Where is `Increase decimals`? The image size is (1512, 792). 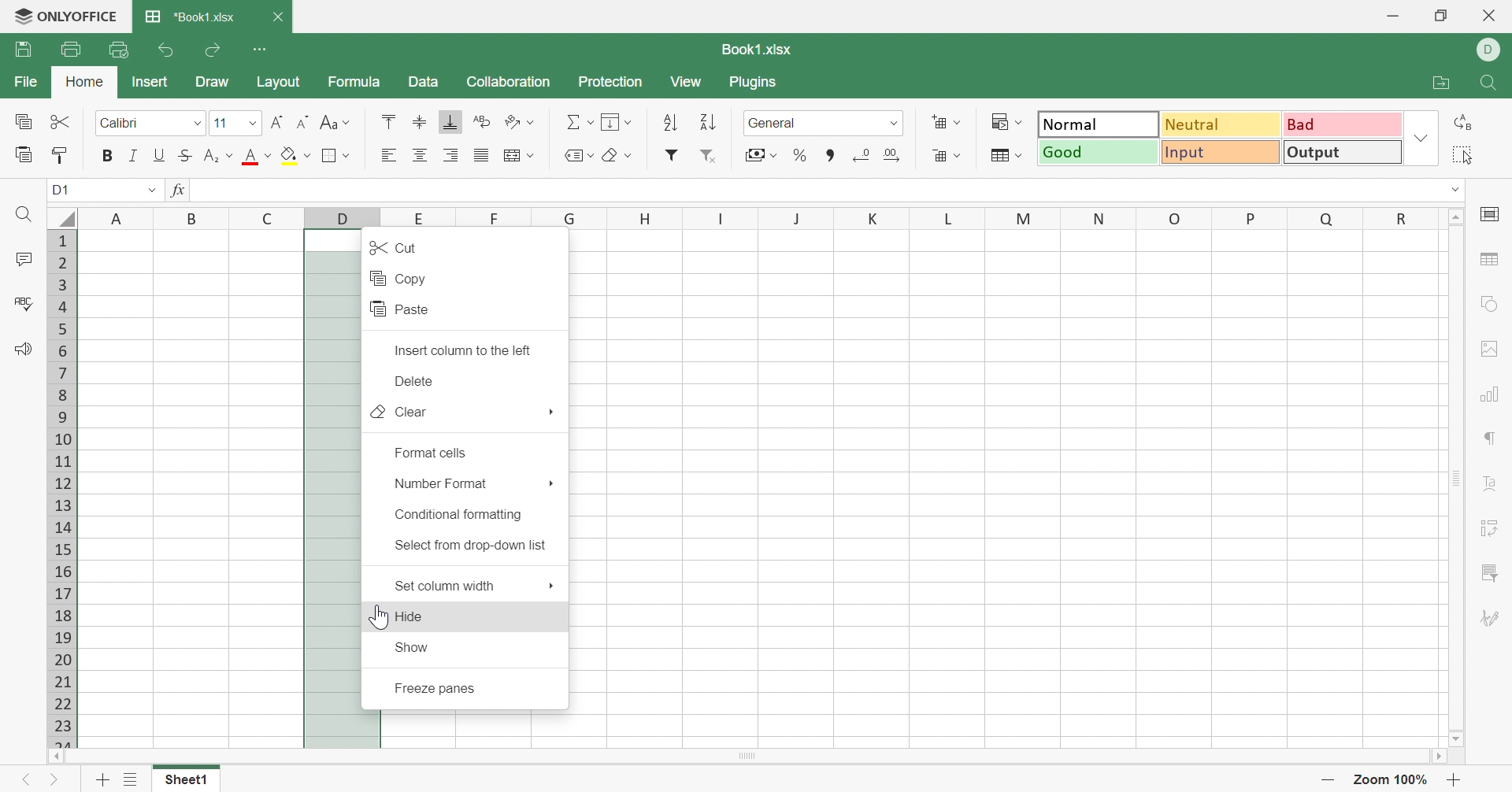 Increase decimals is located at coordinates (859, 156).